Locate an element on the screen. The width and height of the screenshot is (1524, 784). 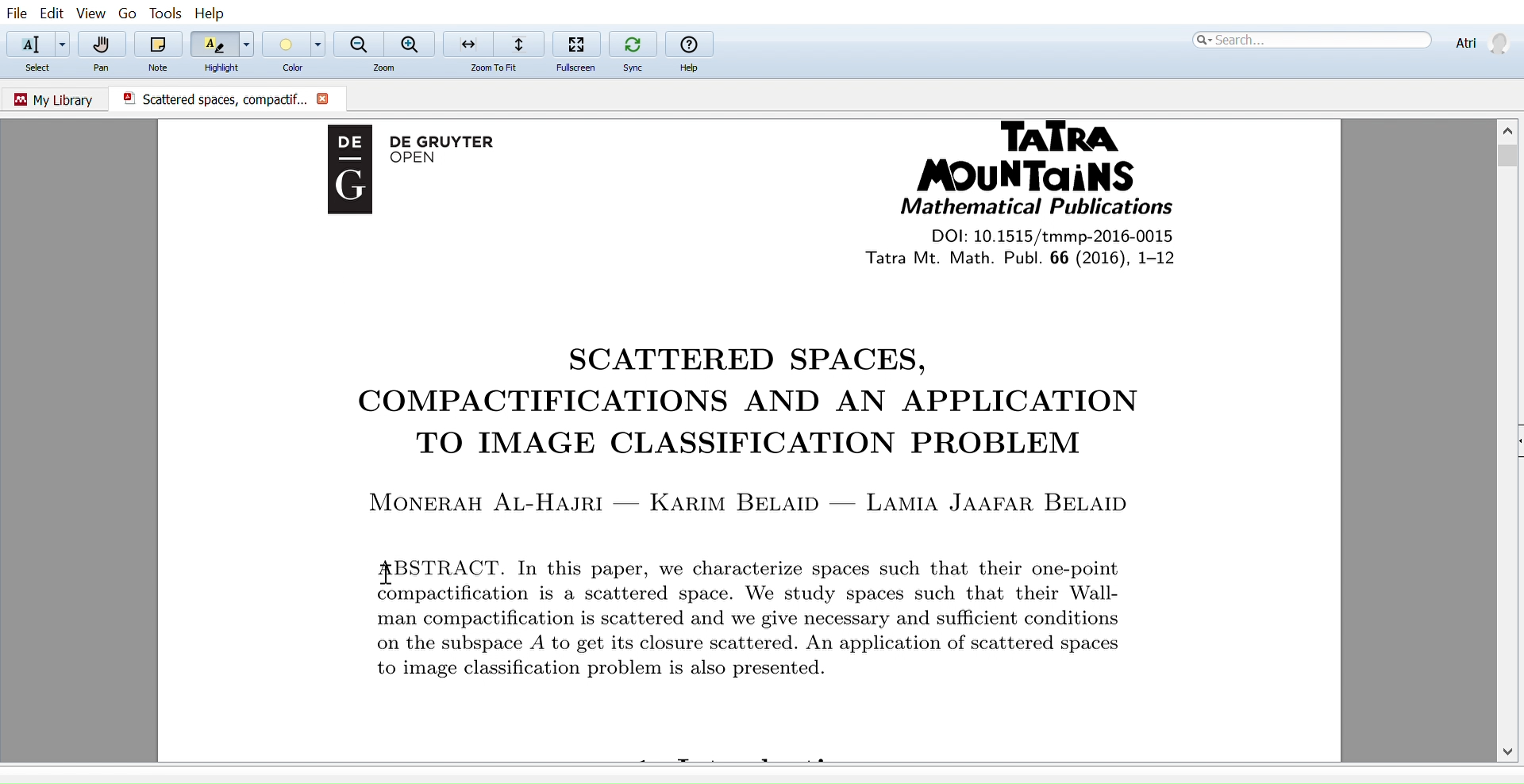
Select text is located at coordinates (27, 44).